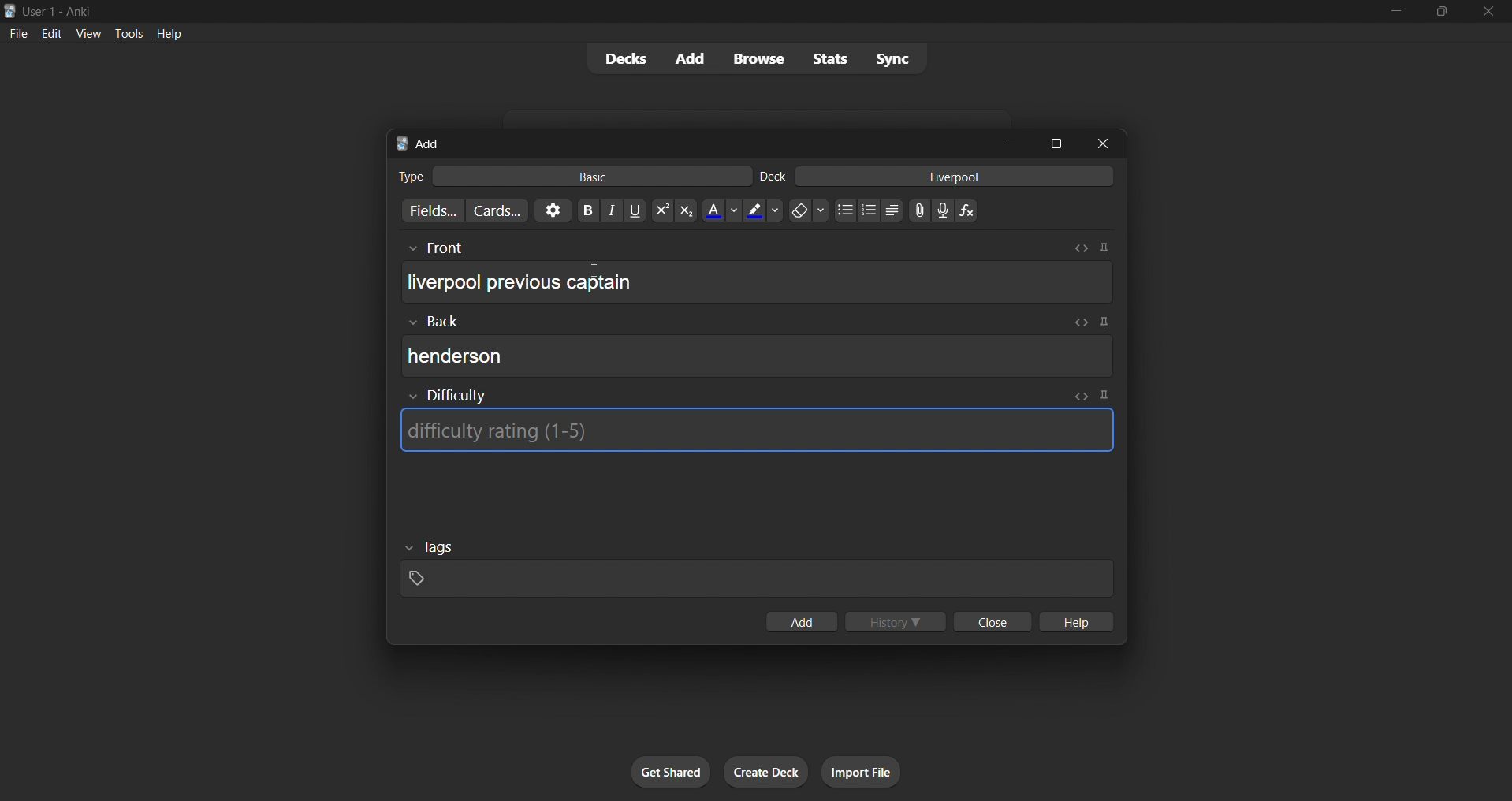  What do you see at coordinates (1393, 13) in the screenshot?
I see `minimize` at bounding box center [1393, 13].